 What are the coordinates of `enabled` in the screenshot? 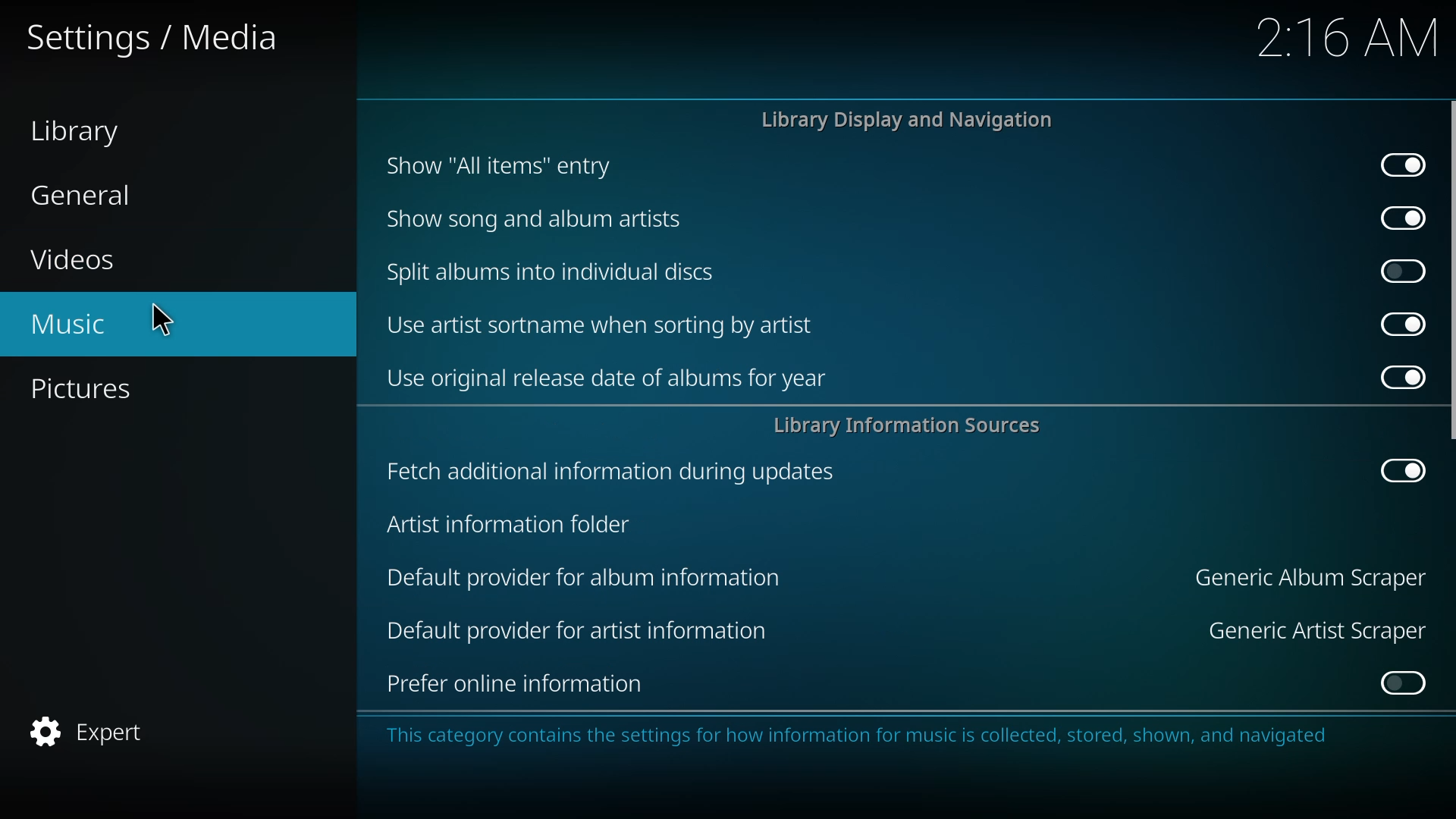 It's located at (1394, 375).